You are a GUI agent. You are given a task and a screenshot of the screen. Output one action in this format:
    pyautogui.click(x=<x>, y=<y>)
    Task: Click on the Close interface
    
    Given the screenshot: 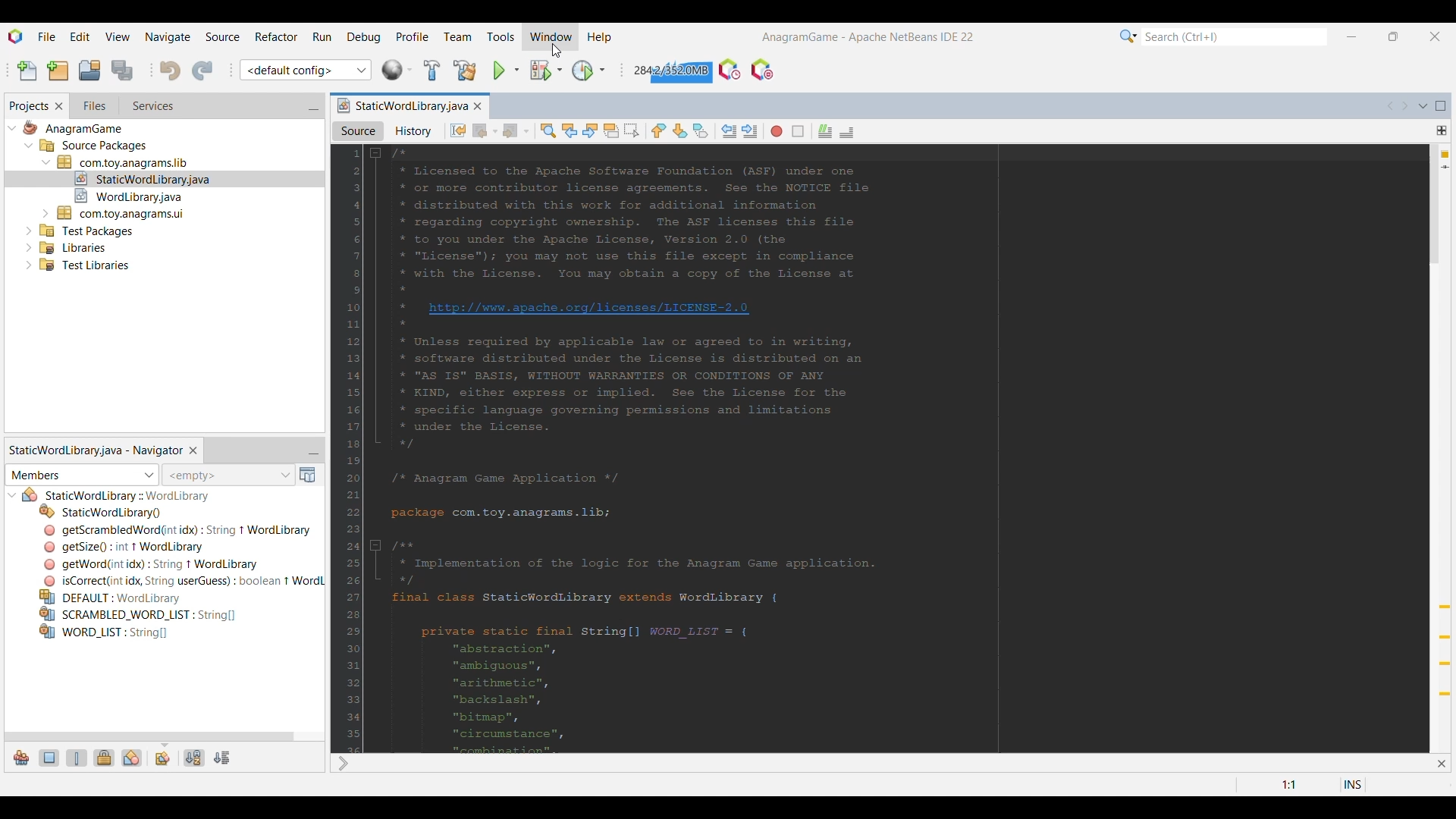 What is the action you would take?
    pyautogui.click(x=1436, y=36)
    